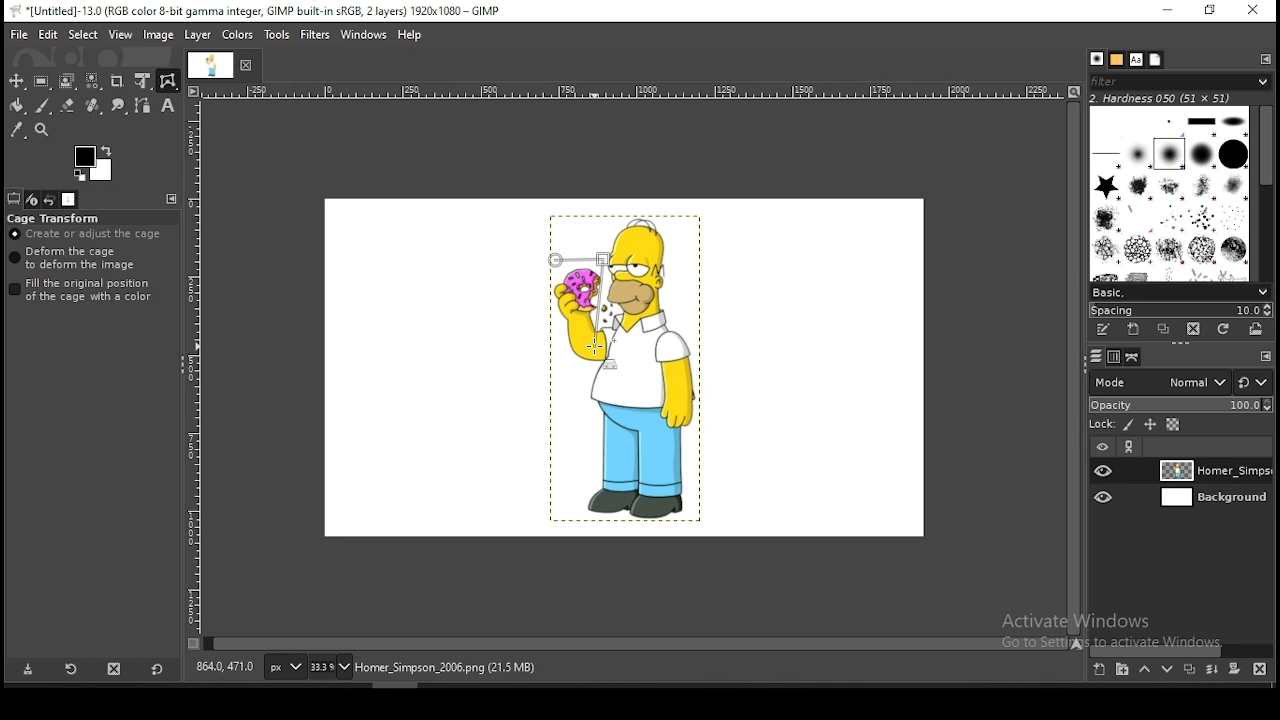 The image size is (1280, 720). Describe the element at coordinates (19, 33) in the screenshot. I see `file` at that location.